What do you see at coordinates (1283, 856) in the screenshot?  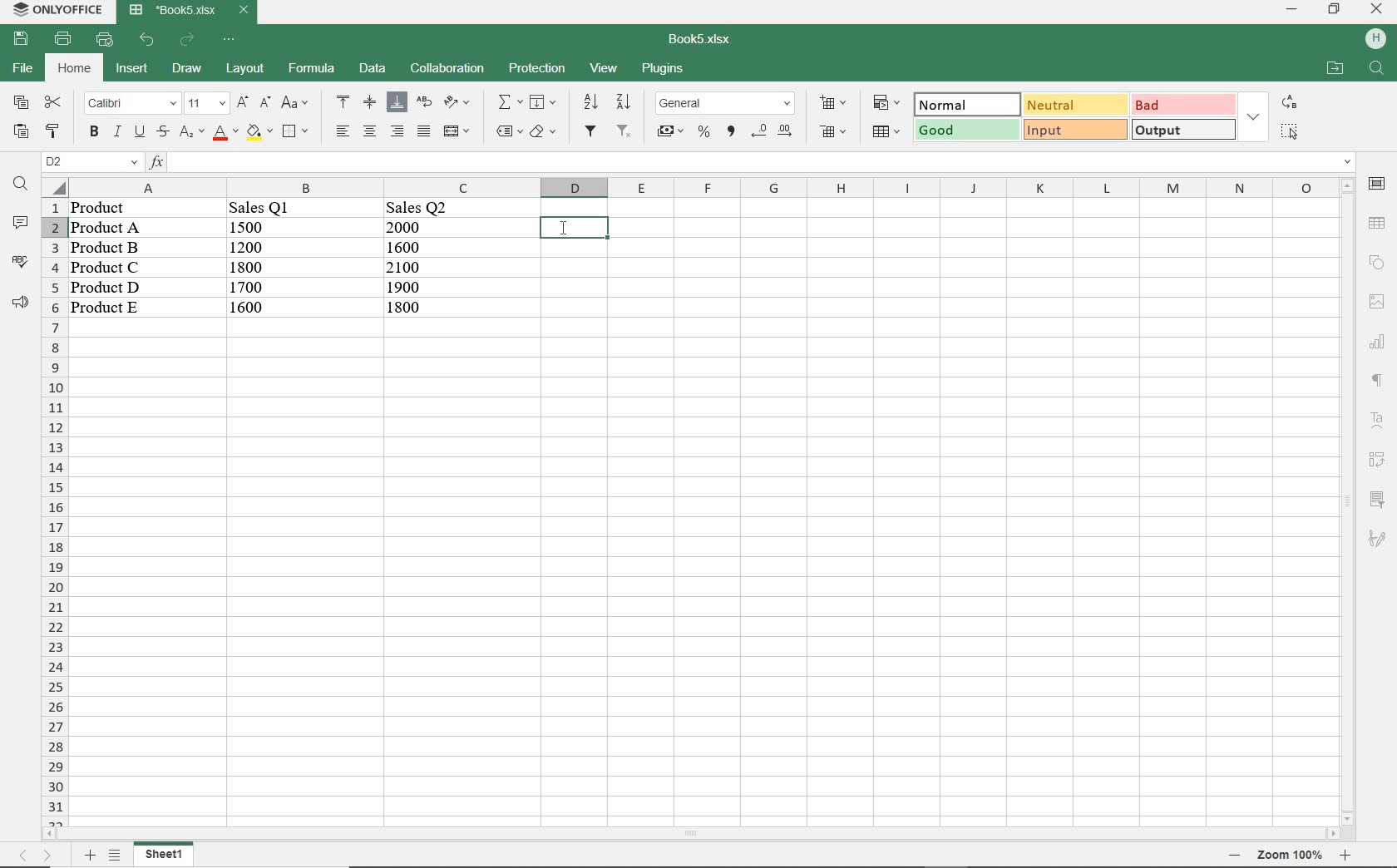 I see `zoom out or zoom in` at bounding box center [1283, 856].